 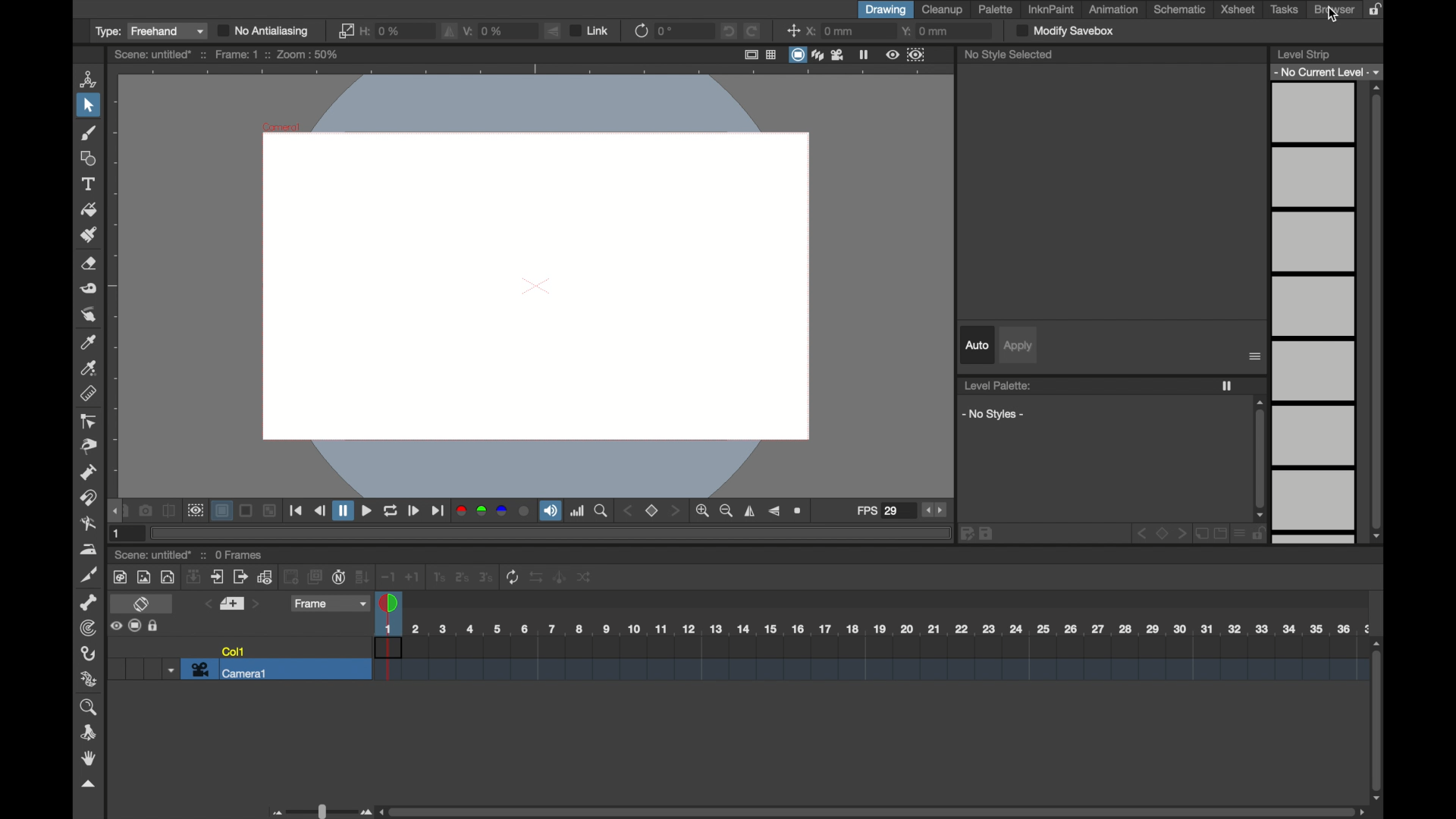 What do you see at coordinates (831, 31) in the screenshot?
I see `x: 0mm` at bounding box center [831, 31].